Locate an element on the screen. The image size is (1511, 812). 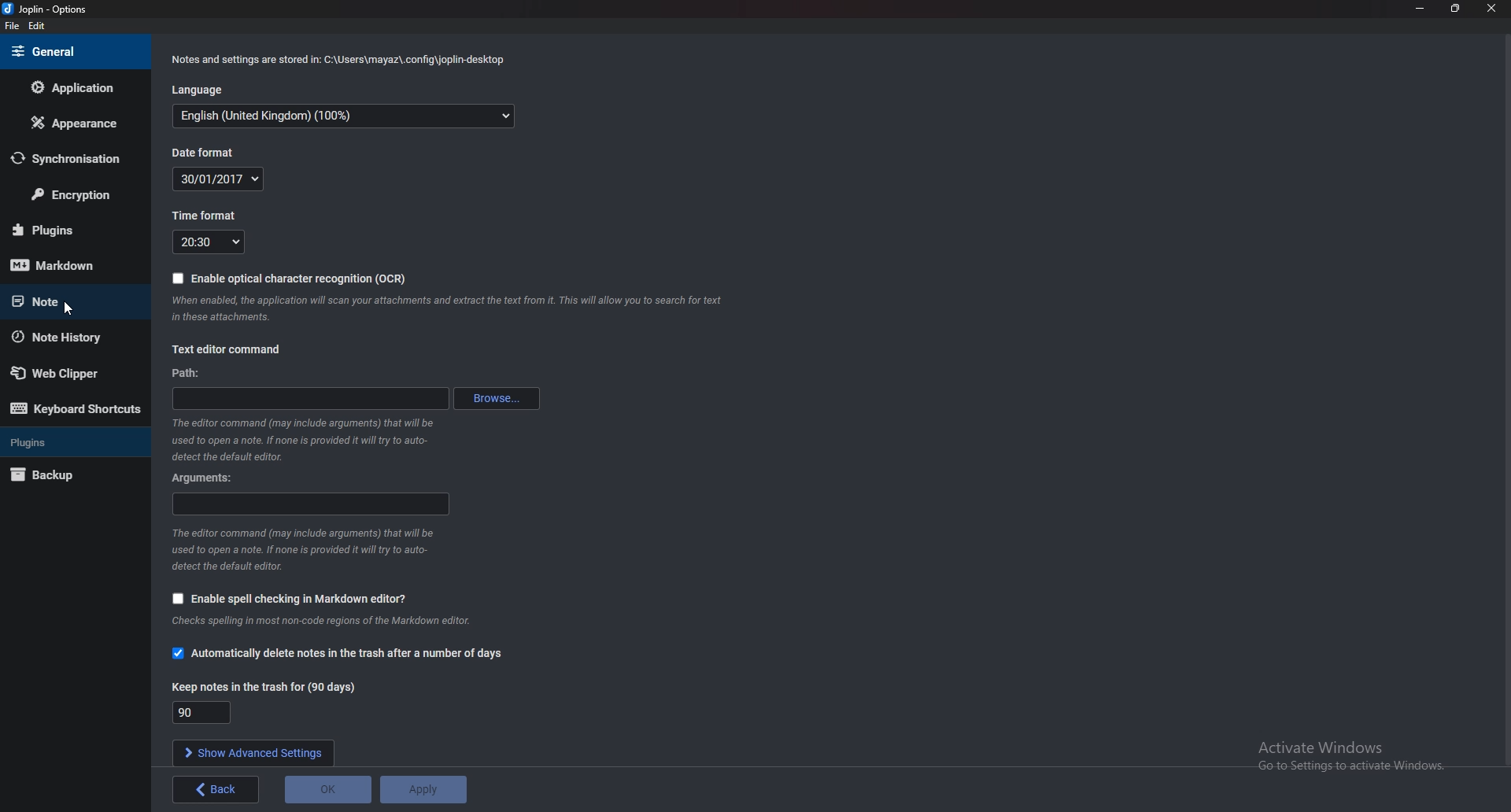
general is located at coordinates (70, 50).